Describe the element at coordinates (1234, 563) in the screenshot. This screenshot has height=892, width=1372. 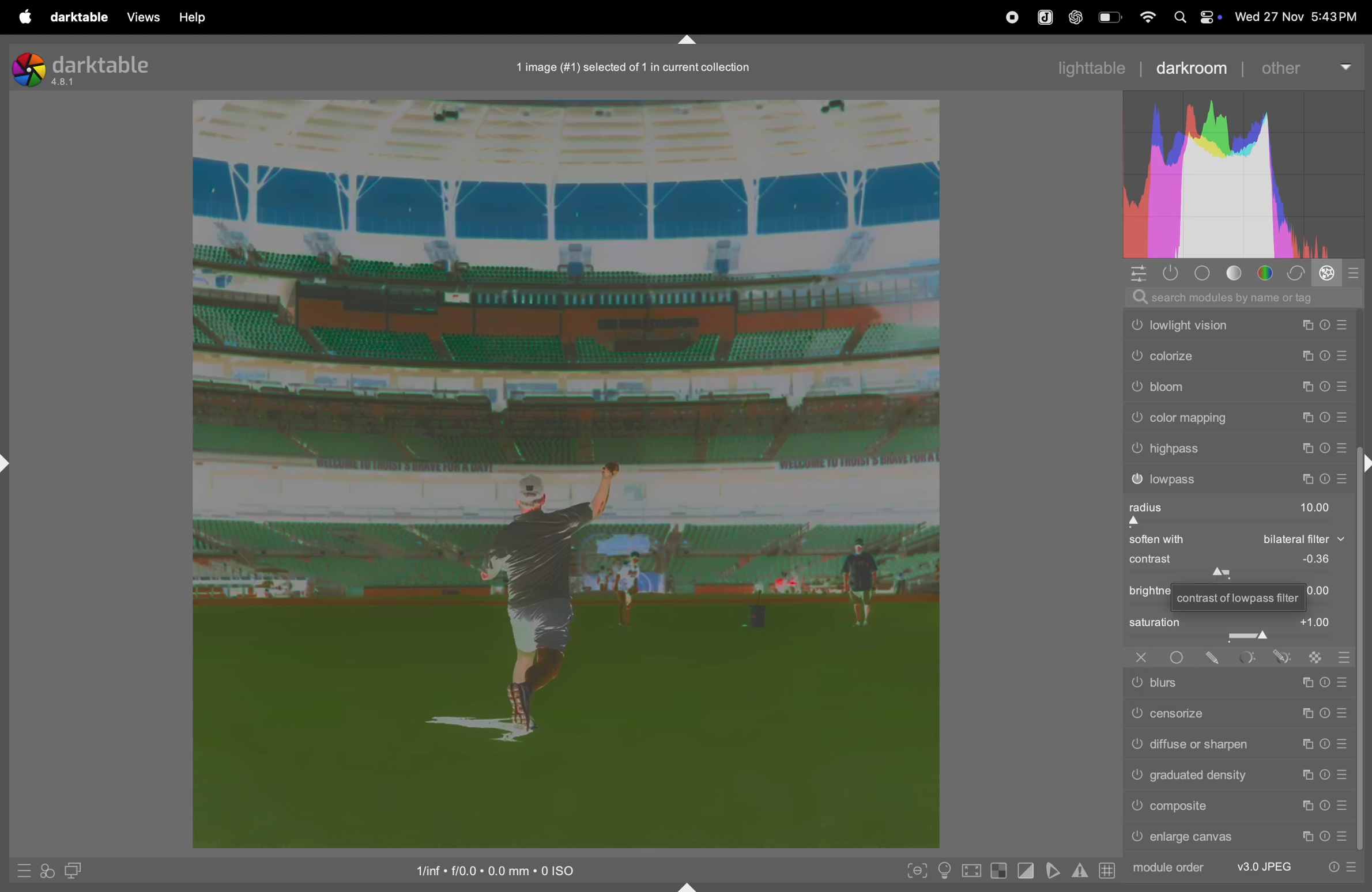
I see `contrast` at that location.